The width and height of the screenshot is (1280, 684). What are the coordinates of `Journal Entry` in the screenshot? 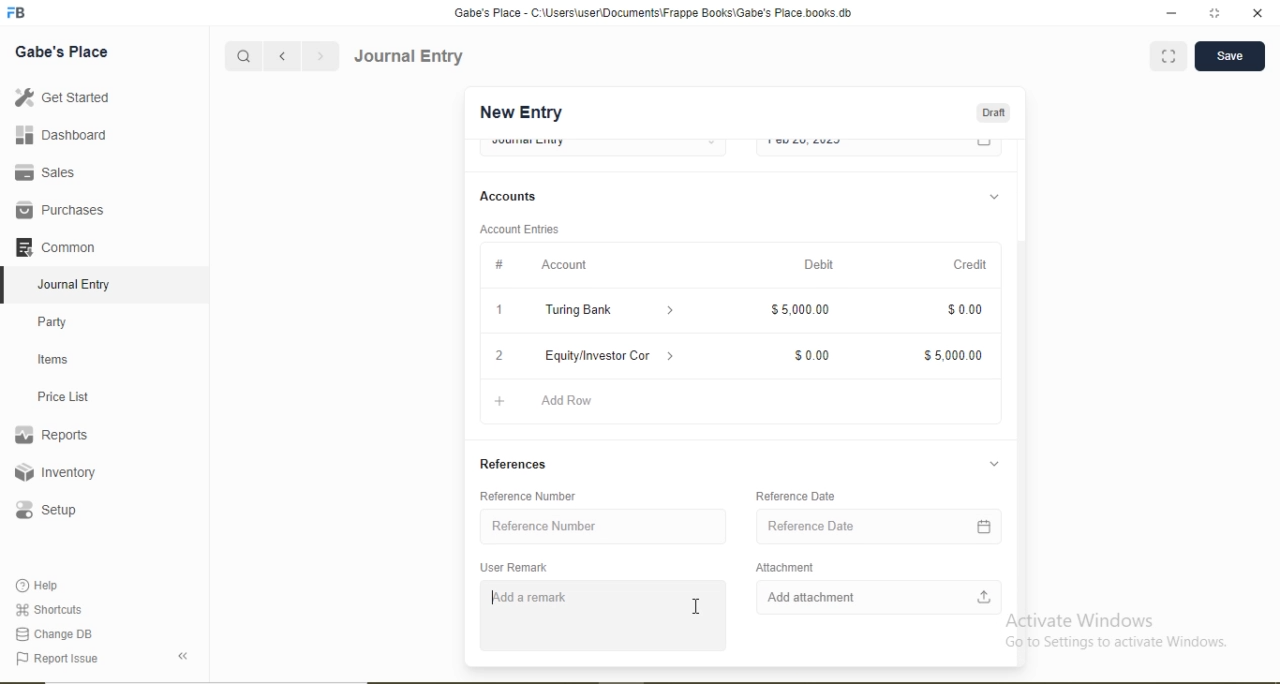 It's located at (410, 56).